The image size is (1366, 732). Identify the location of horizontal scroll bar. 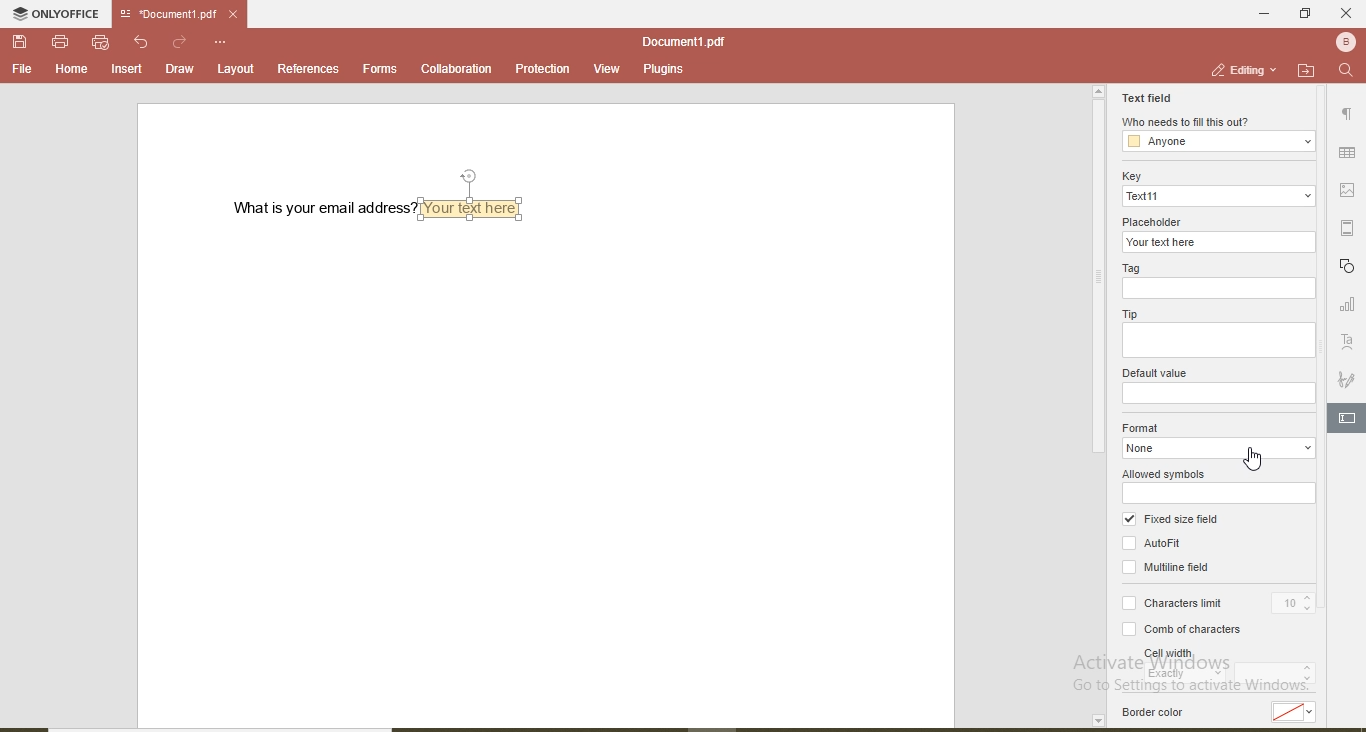
(235, 726).